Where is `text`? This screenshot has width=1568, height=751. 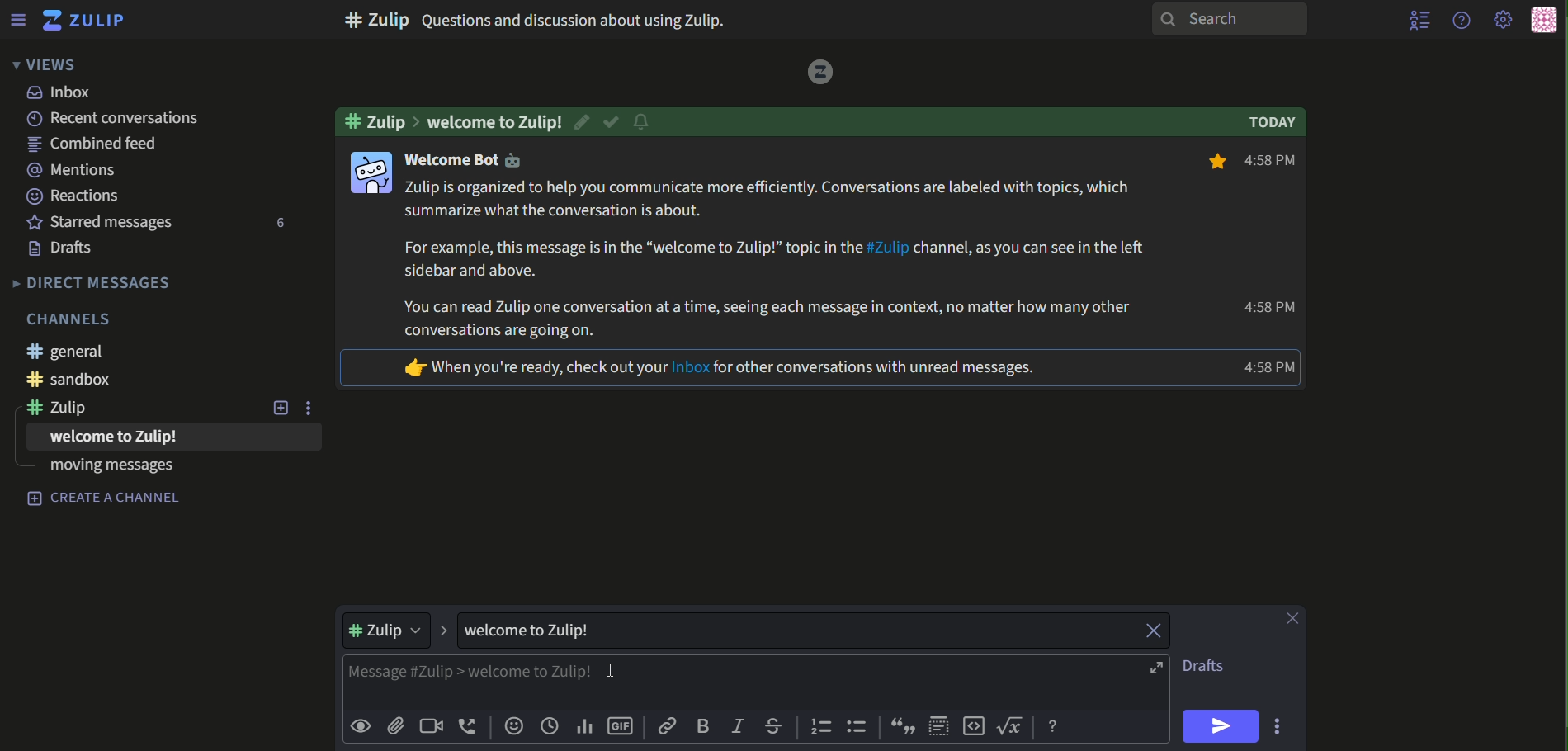 text is located at coordinates (720, 369).